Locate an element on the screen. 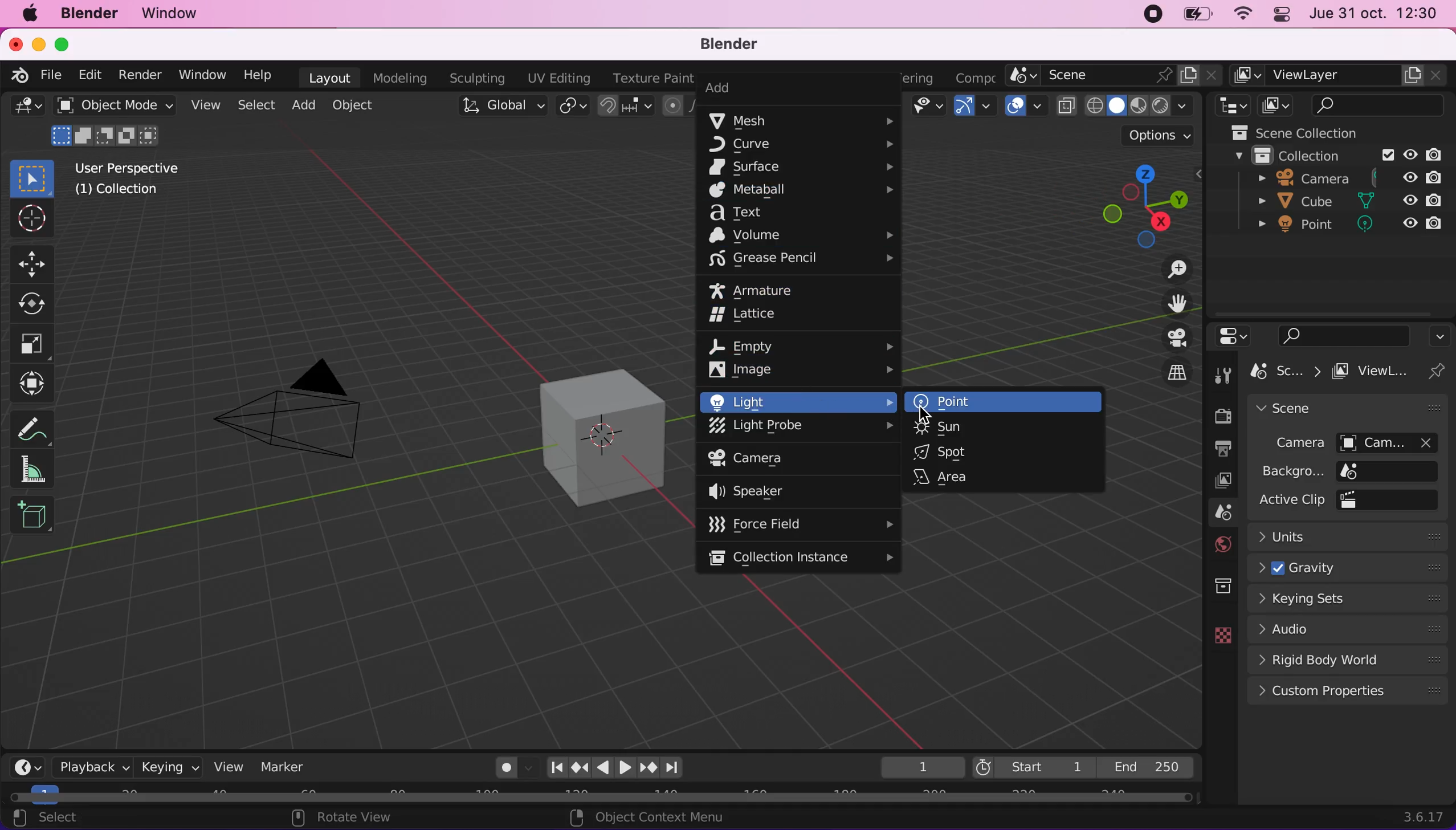 The image size is (1456, 830). collection instance is located at coordinates (800, 556).